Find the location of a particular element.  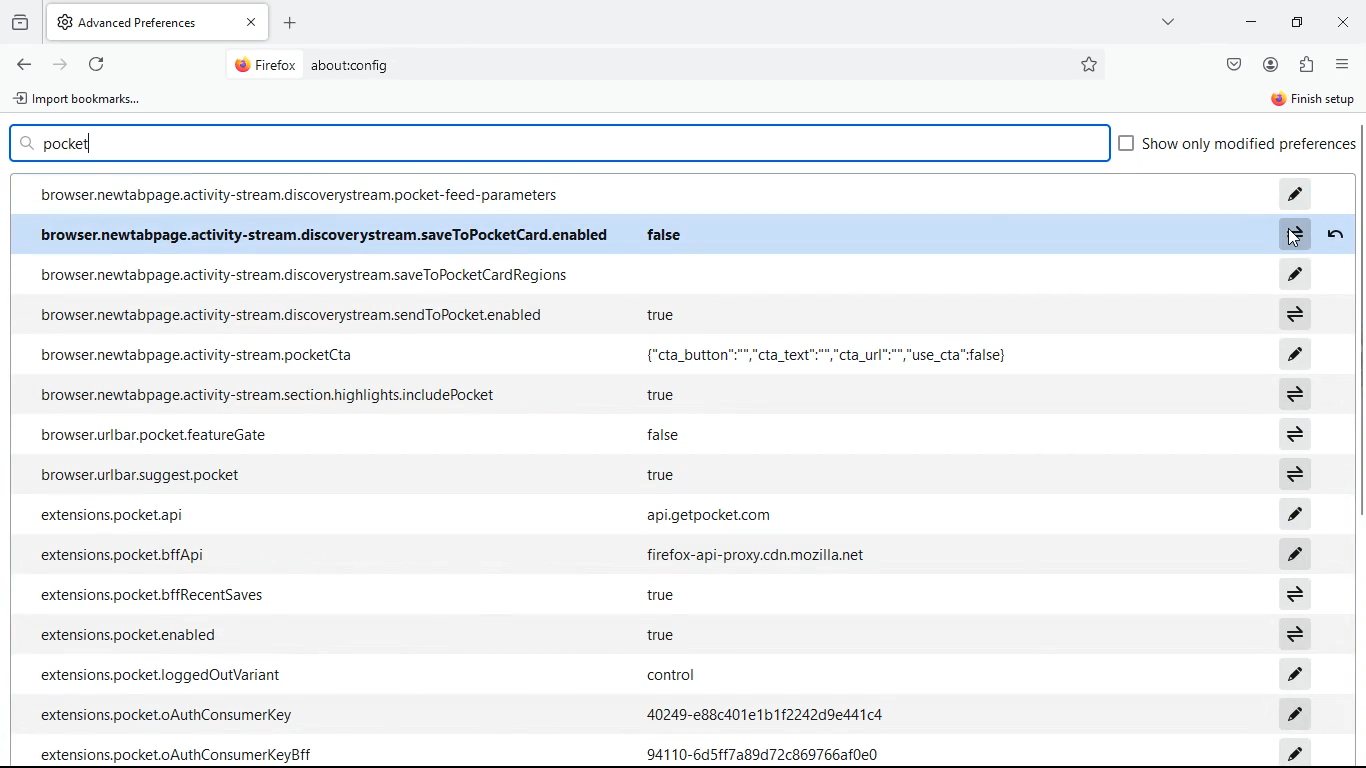

@ Firefox is located at coordinates (264, 65).